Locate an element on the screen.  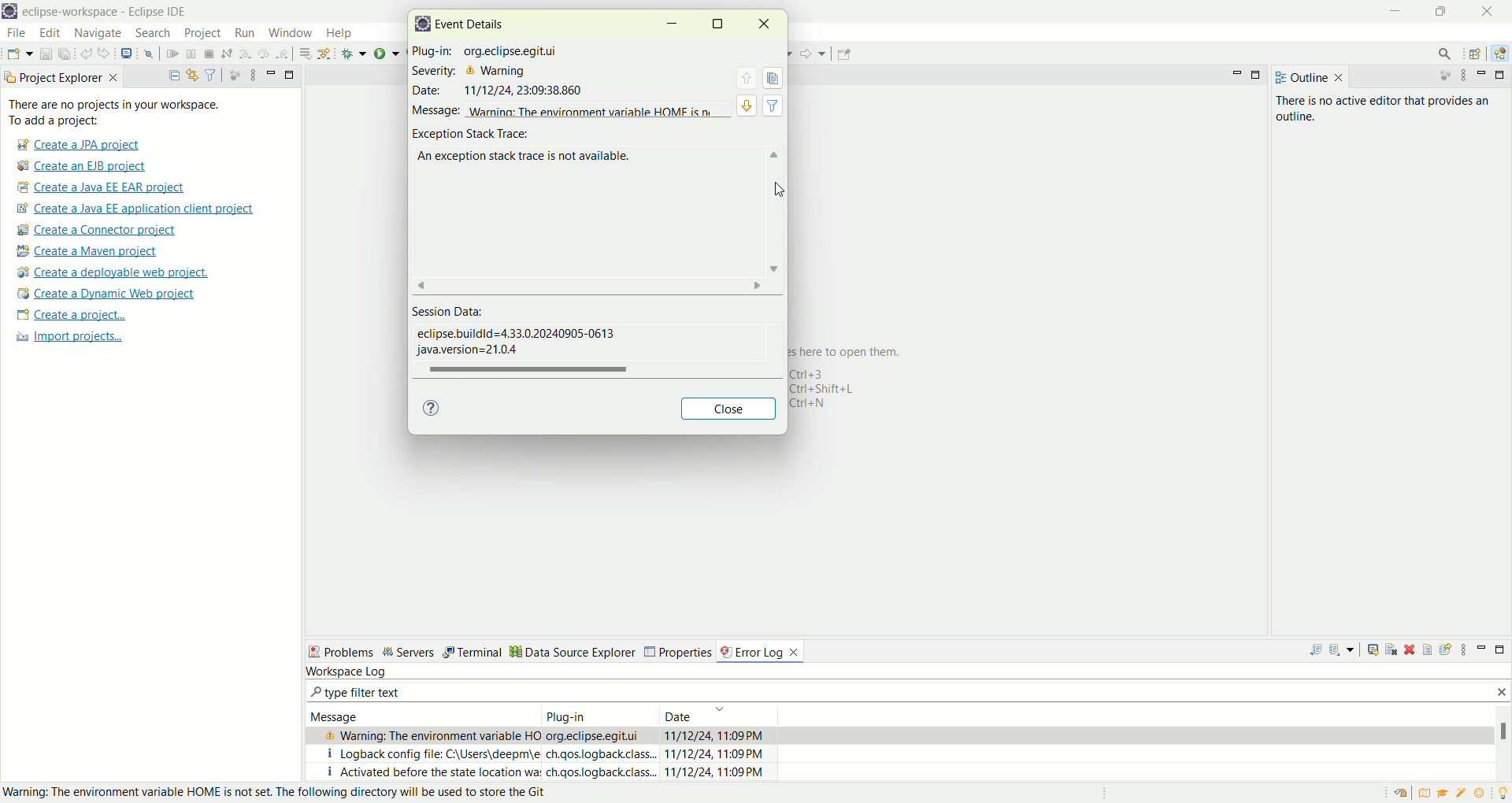
maximize is located at coordinates (1258, 75).